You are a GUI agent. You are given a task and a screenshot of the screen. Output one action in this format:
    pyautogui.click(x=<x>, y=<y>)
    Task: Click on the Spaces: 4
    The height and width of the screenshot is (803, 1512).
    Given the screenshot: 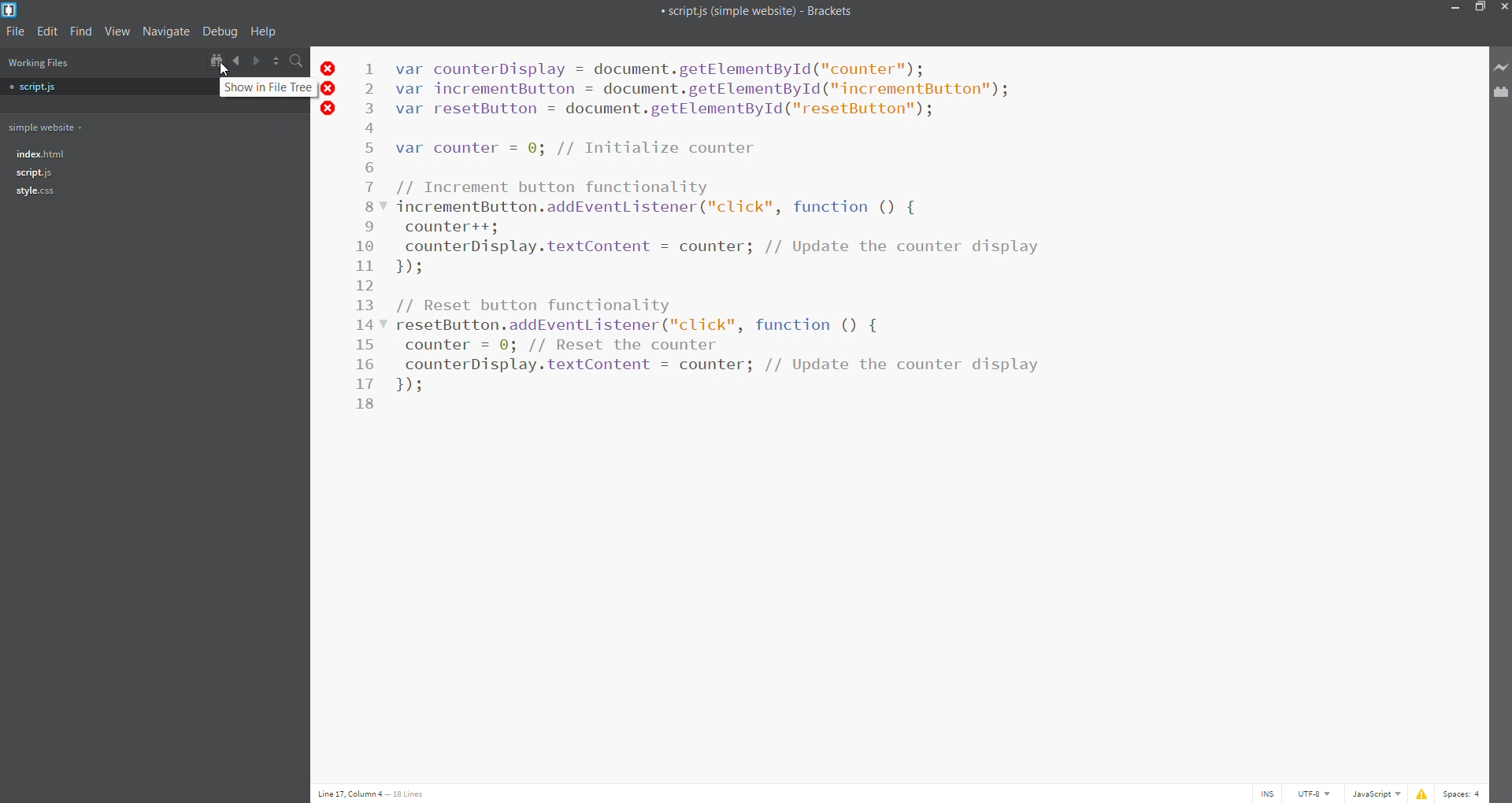 What is the action you would take?
    pyautogui.click(x=1464, y=794)
    